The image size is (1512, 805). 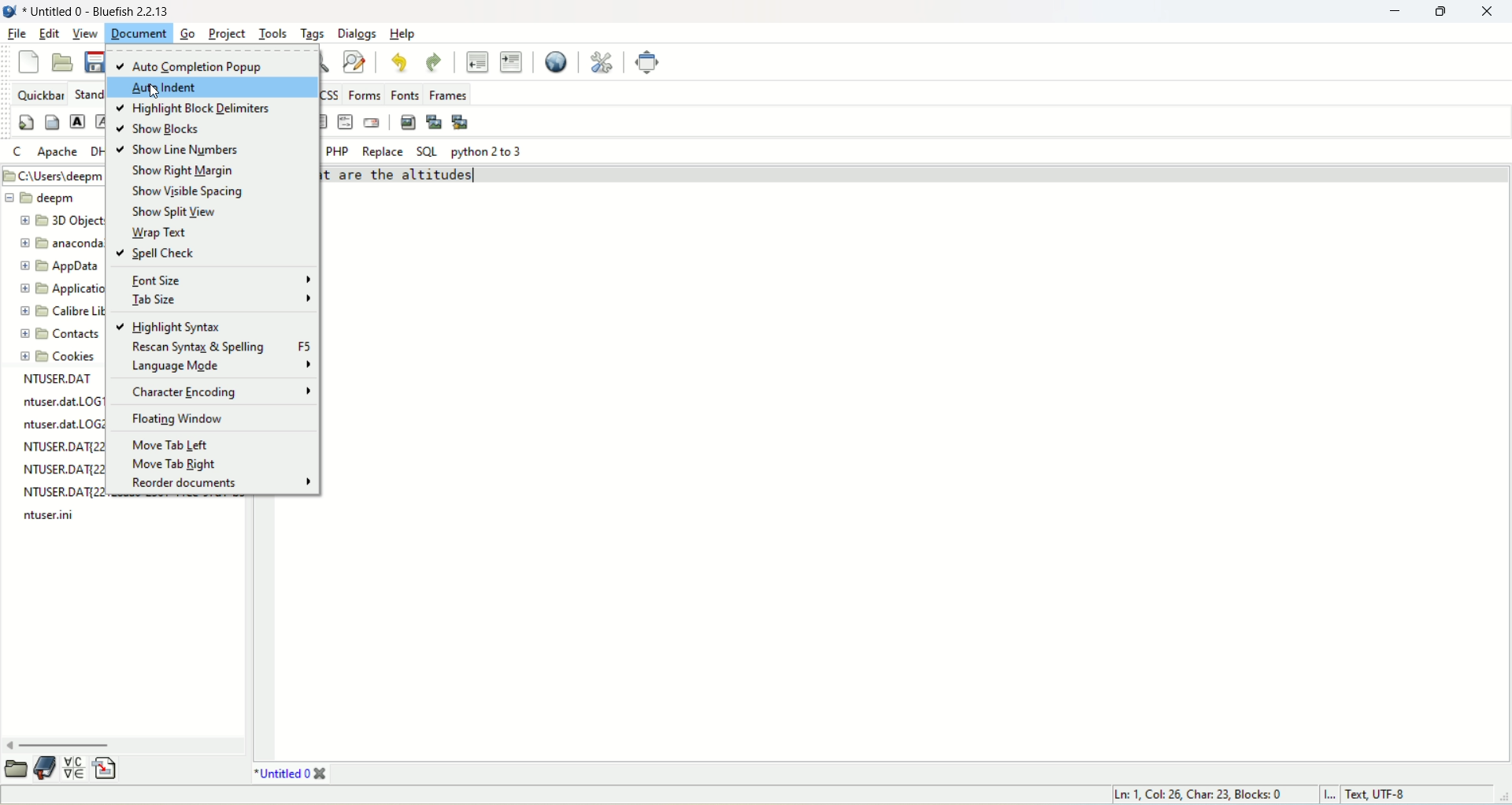 I want to click on python 2 to 3, so click(x=488, y=153).